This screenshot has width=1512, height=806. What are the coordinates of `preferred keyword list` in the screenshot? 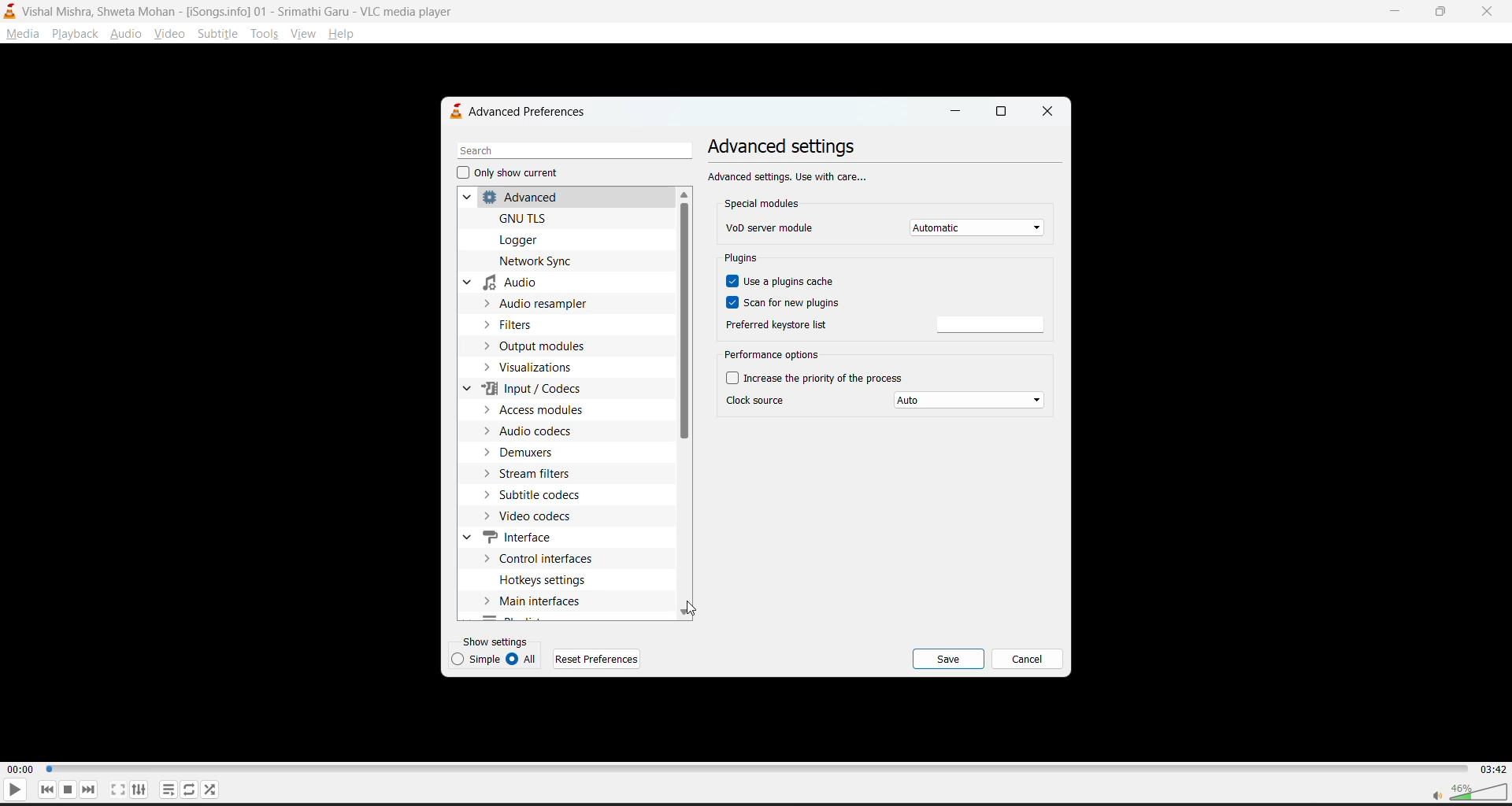 It's located at (994, 325).